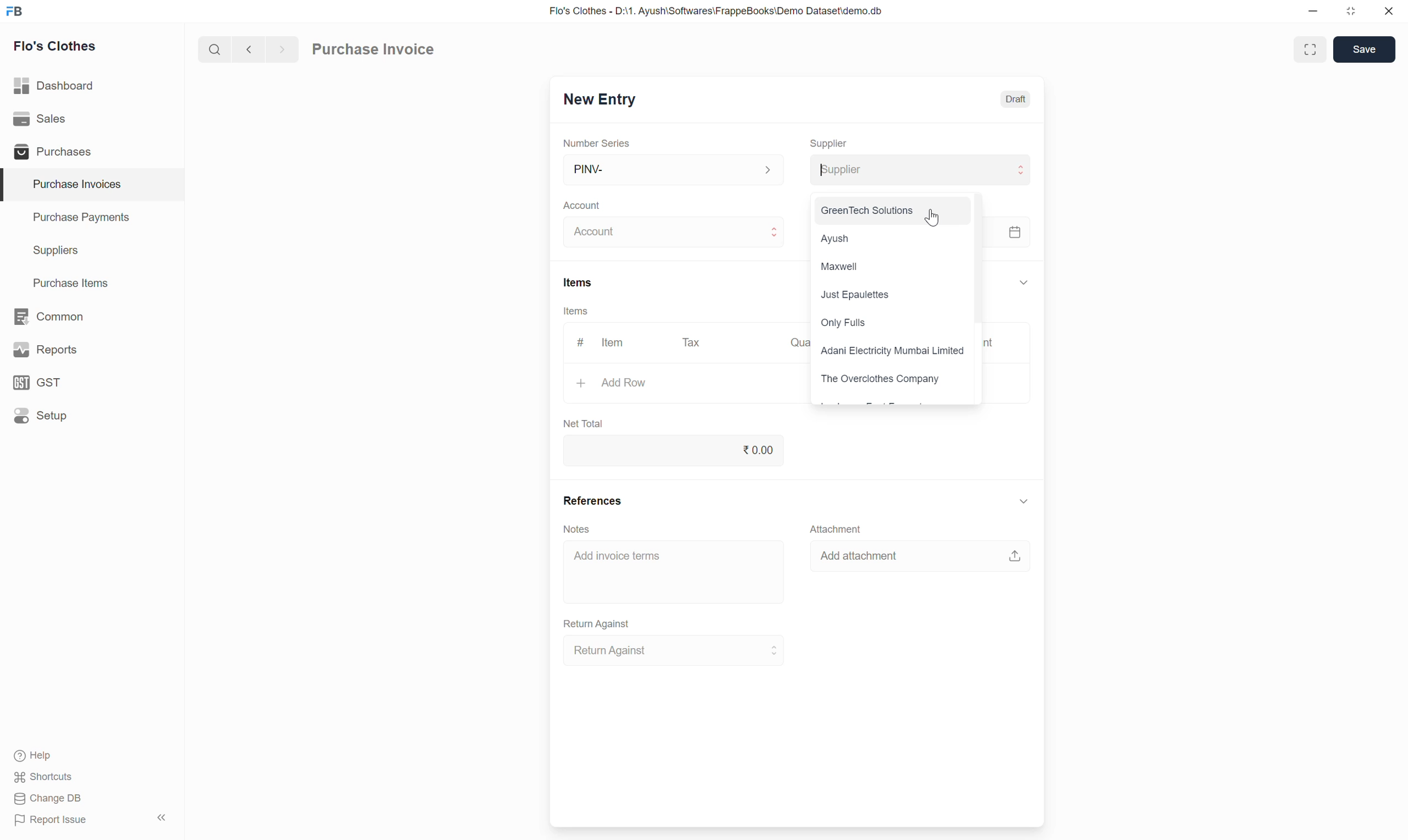 The width and height of the screenshot is (1408, 840). What do you see at coordinates (1350, 11) in the screenshot?
I see `Change dimension` at bounding box center [1350, 11].